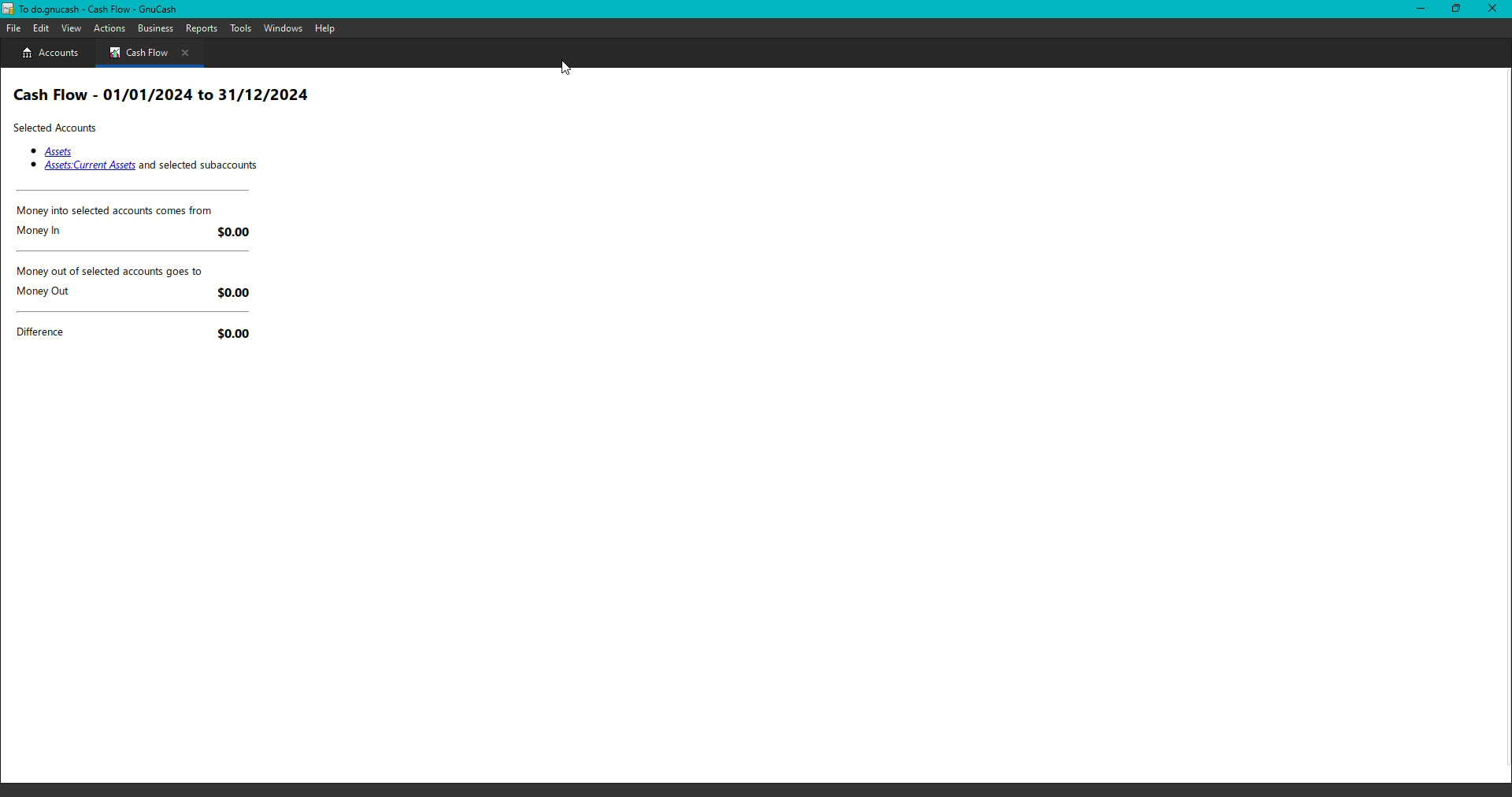 This screenshot has width=1512, height=797. Describe the element at coordinates (243, 27) in the screenshot. I see `Tools` at that location.